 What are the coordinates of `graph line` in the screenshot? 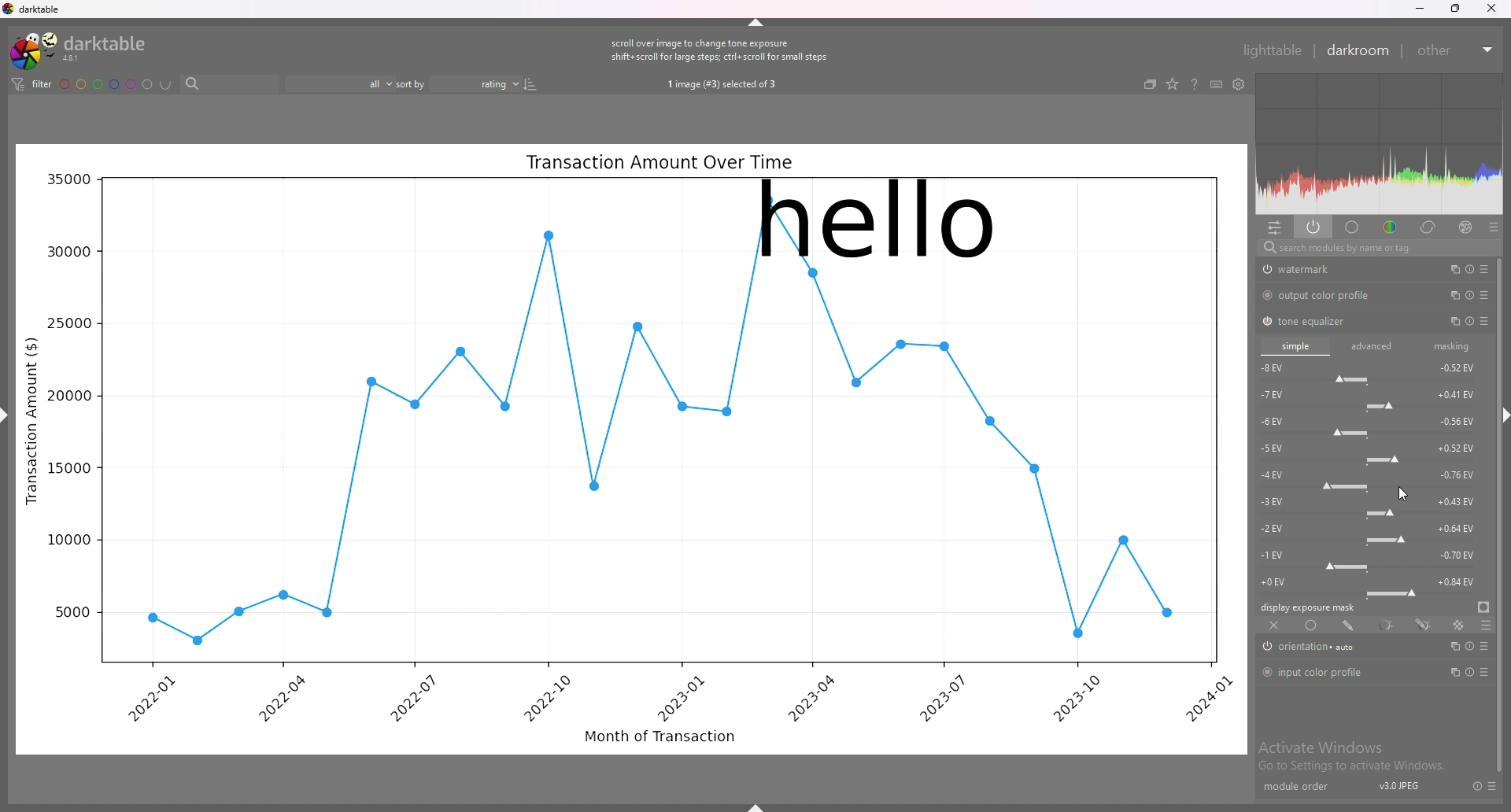 It's located at (664, 463).